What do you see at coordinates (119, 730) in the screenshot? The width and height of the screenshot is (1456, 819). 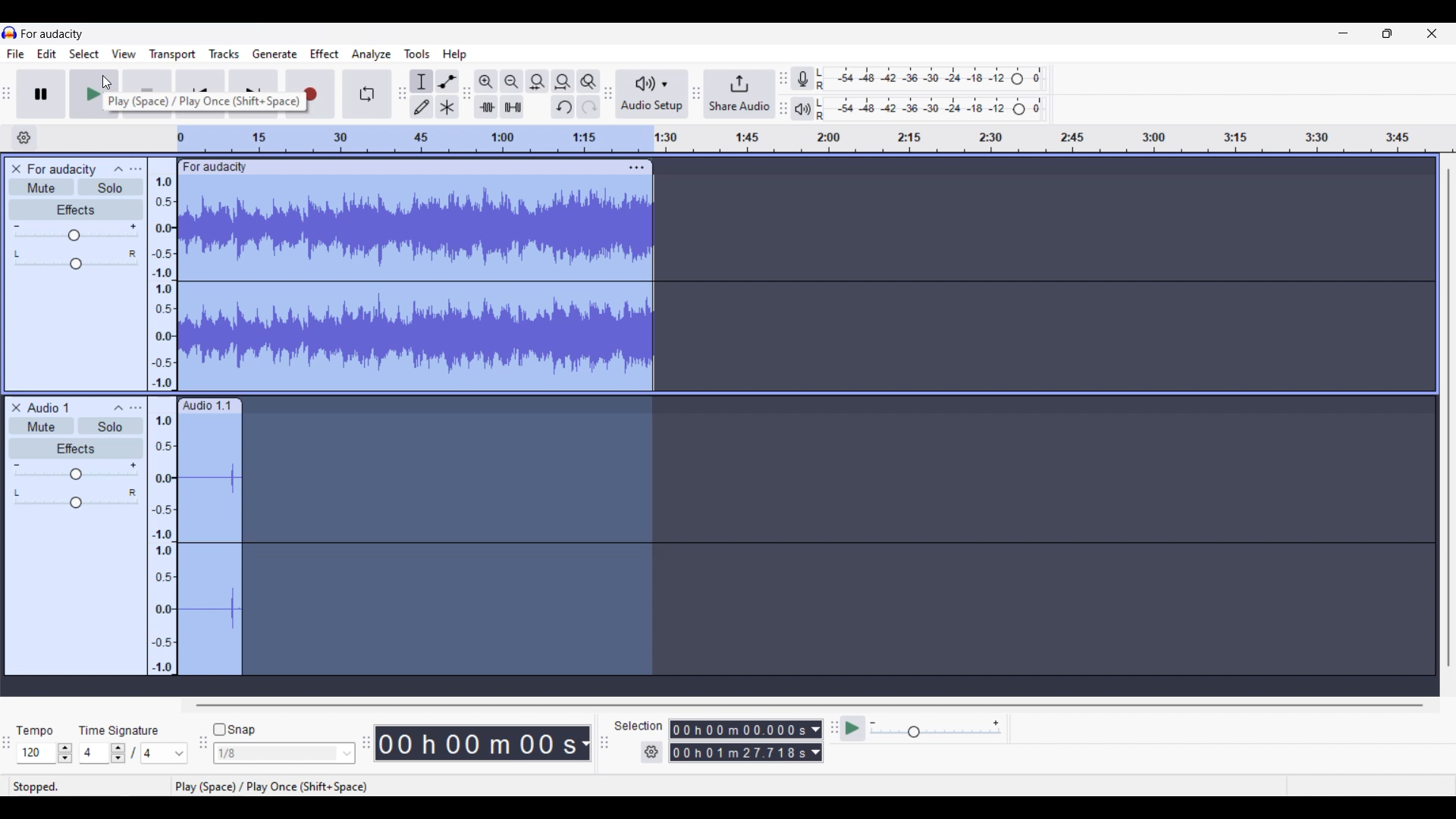 I see `time signature ` at bounding box center [119, 730].